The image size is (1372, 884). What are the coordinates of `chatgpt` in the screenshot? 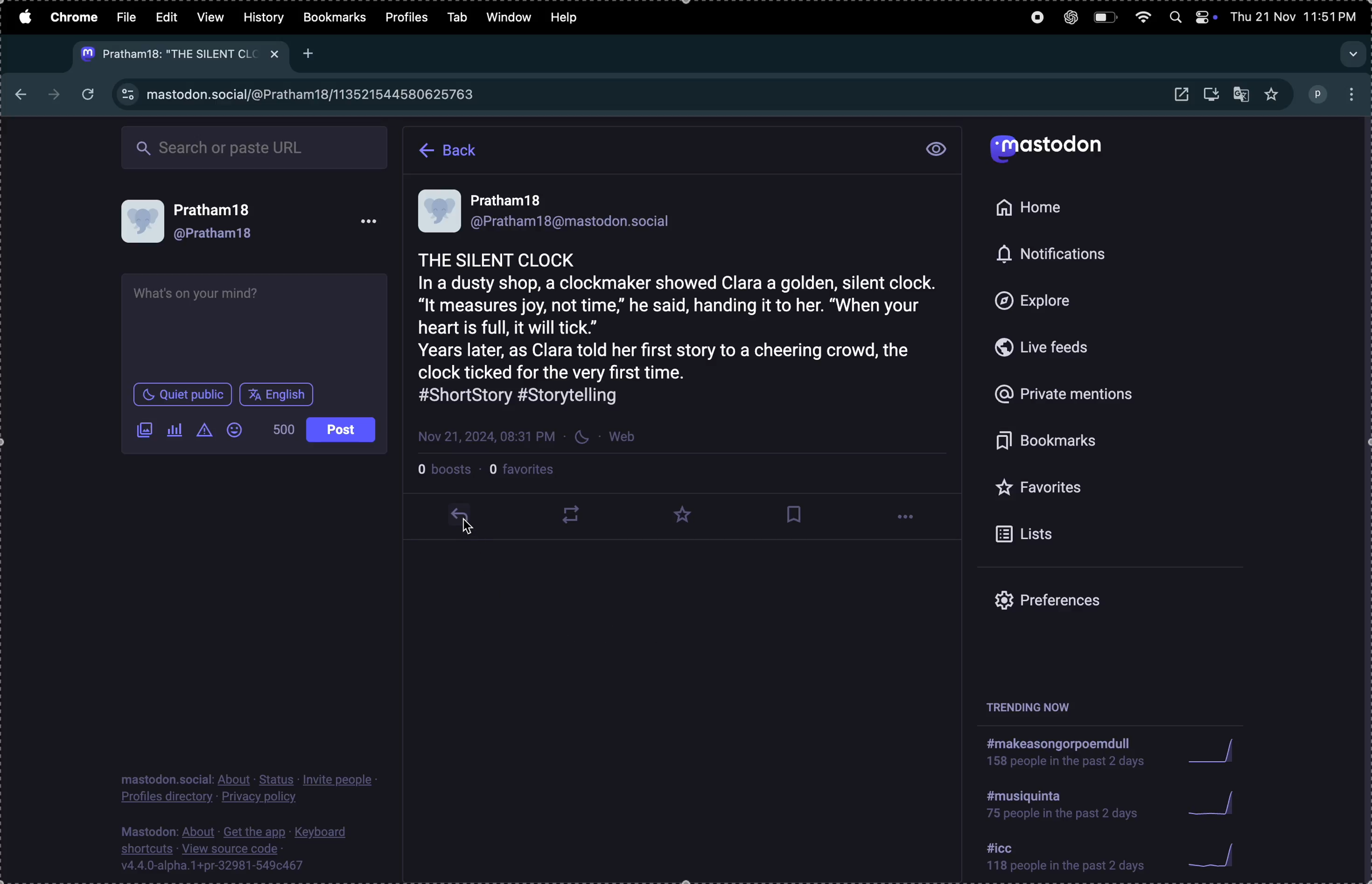 It's located at (1072, 18).